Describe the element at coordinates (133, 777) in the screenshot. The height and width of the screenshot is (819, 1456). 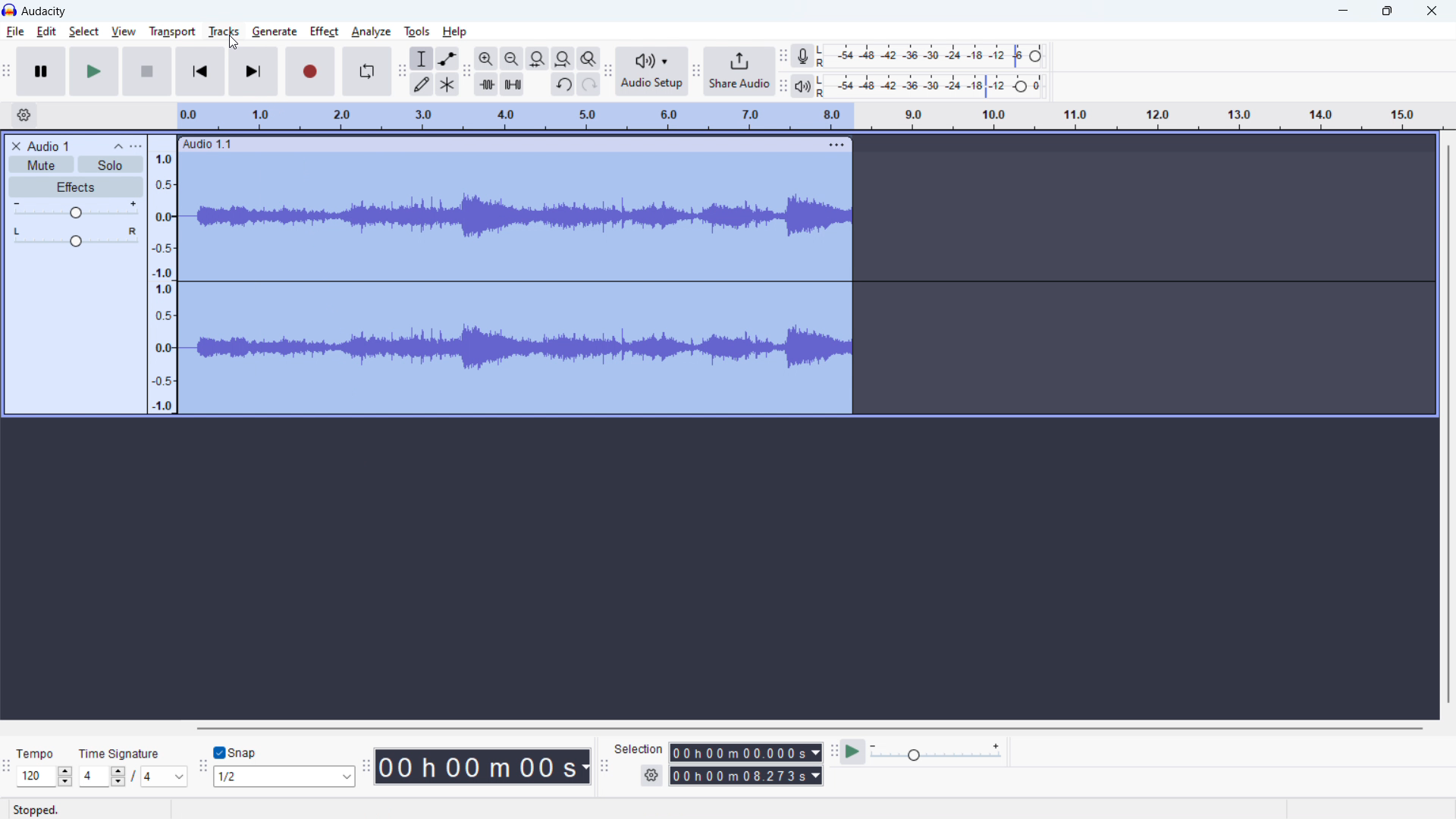
I see `time signature` at that location.